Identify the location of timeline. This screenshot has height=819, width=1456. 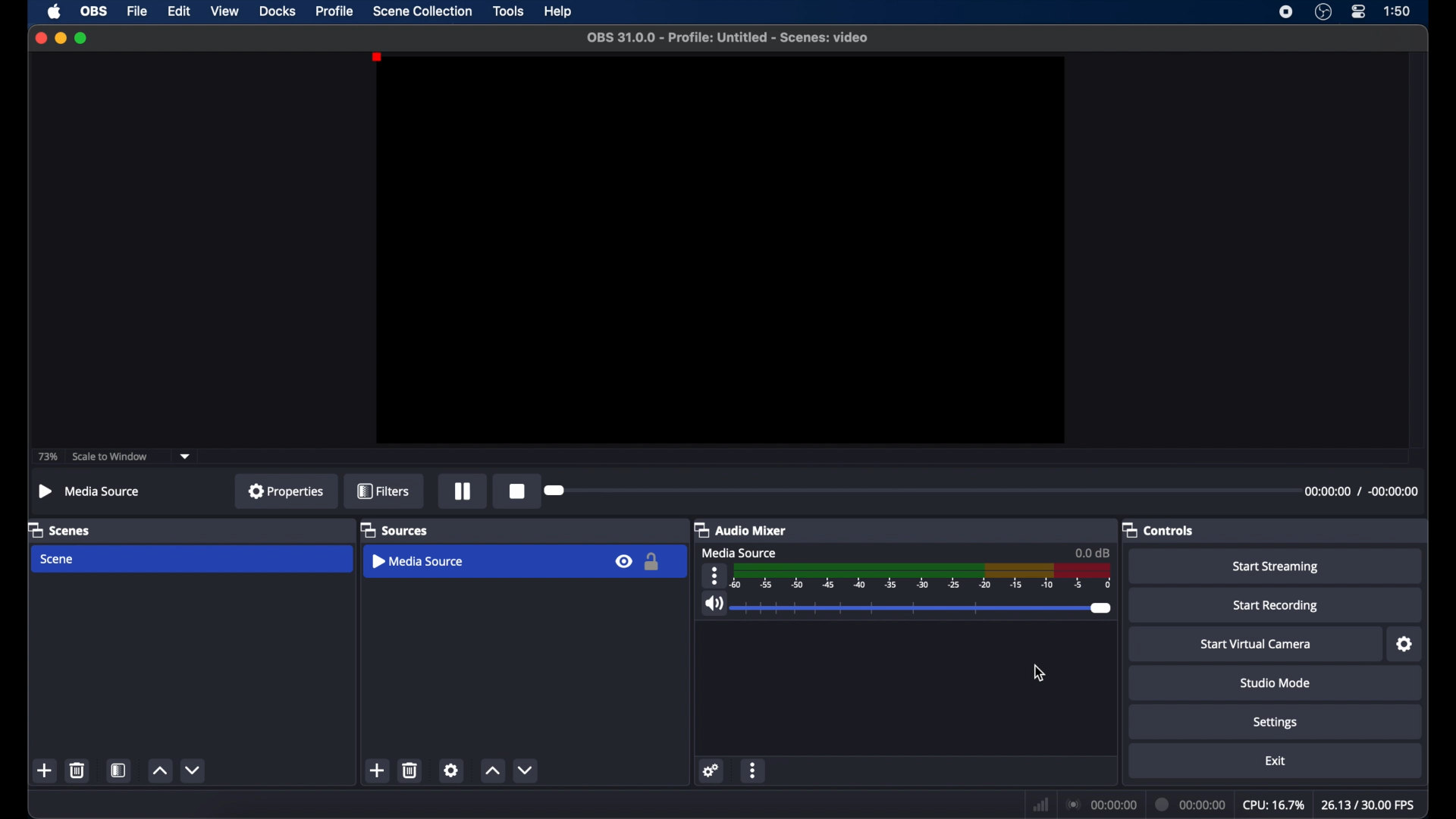
(918, 491).